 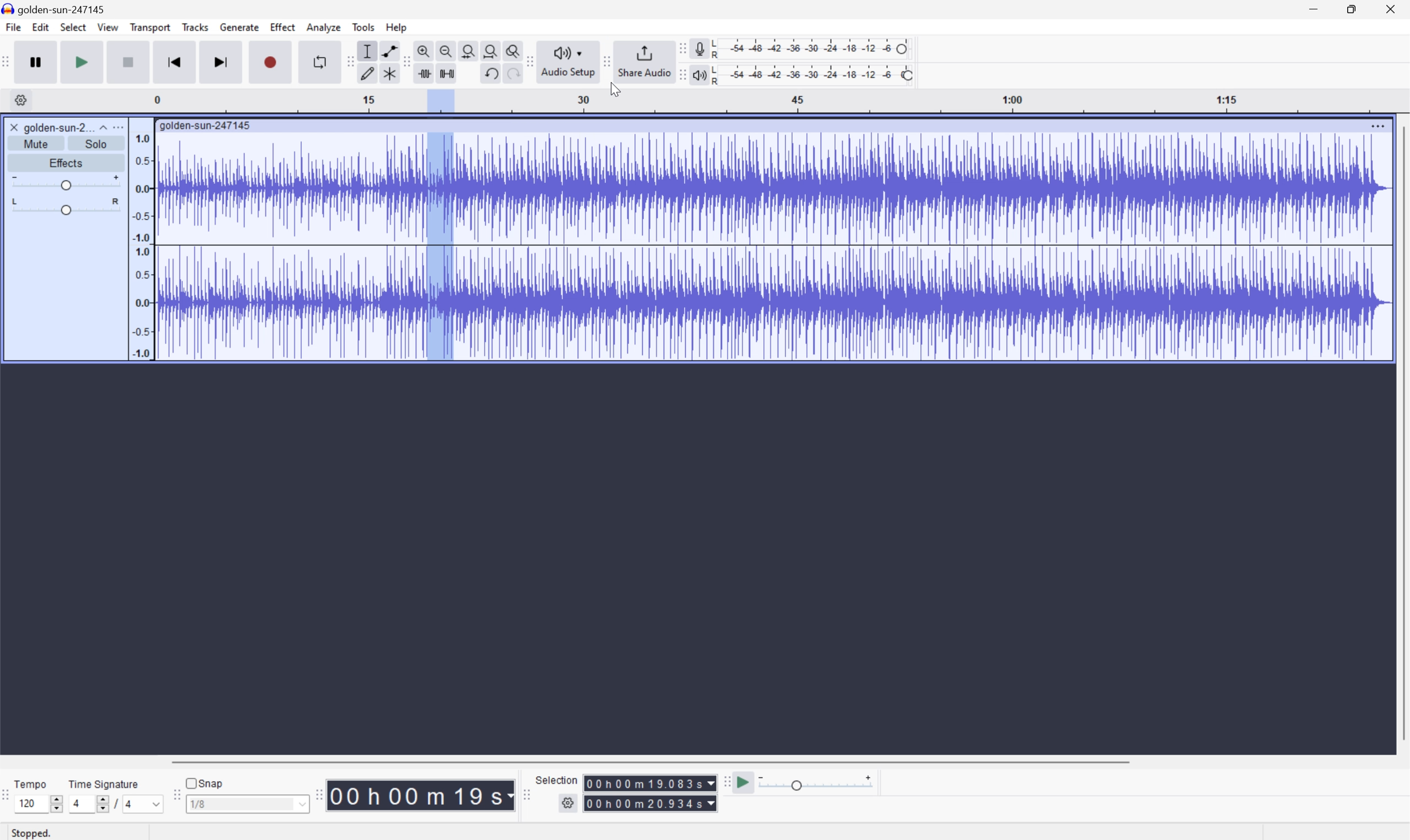 I want to click on Audacity audio setup toolbar, so click(x=529, y=61).